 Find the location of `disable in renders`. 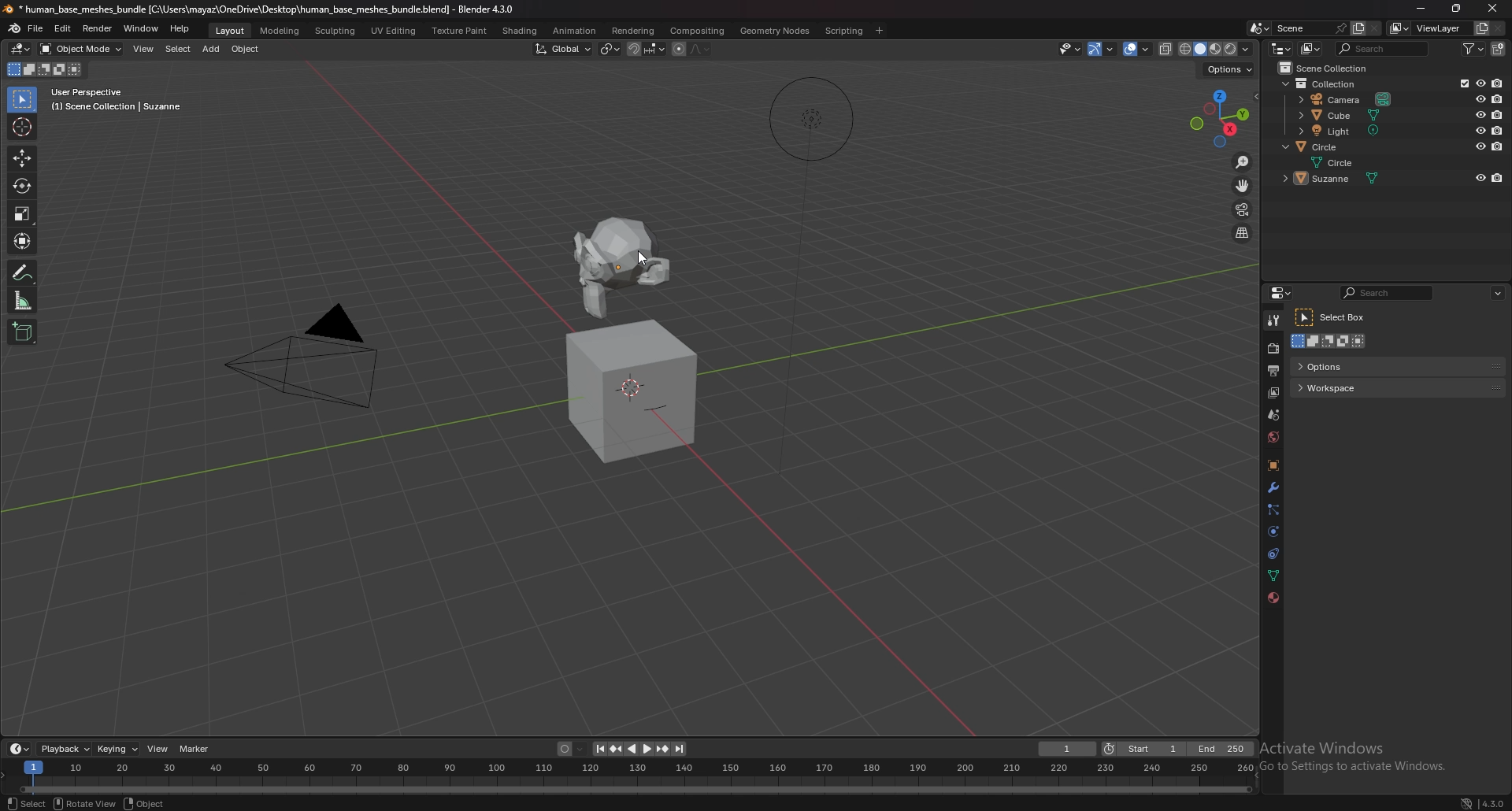

disable in renders is located at coordinates (1498, 98).